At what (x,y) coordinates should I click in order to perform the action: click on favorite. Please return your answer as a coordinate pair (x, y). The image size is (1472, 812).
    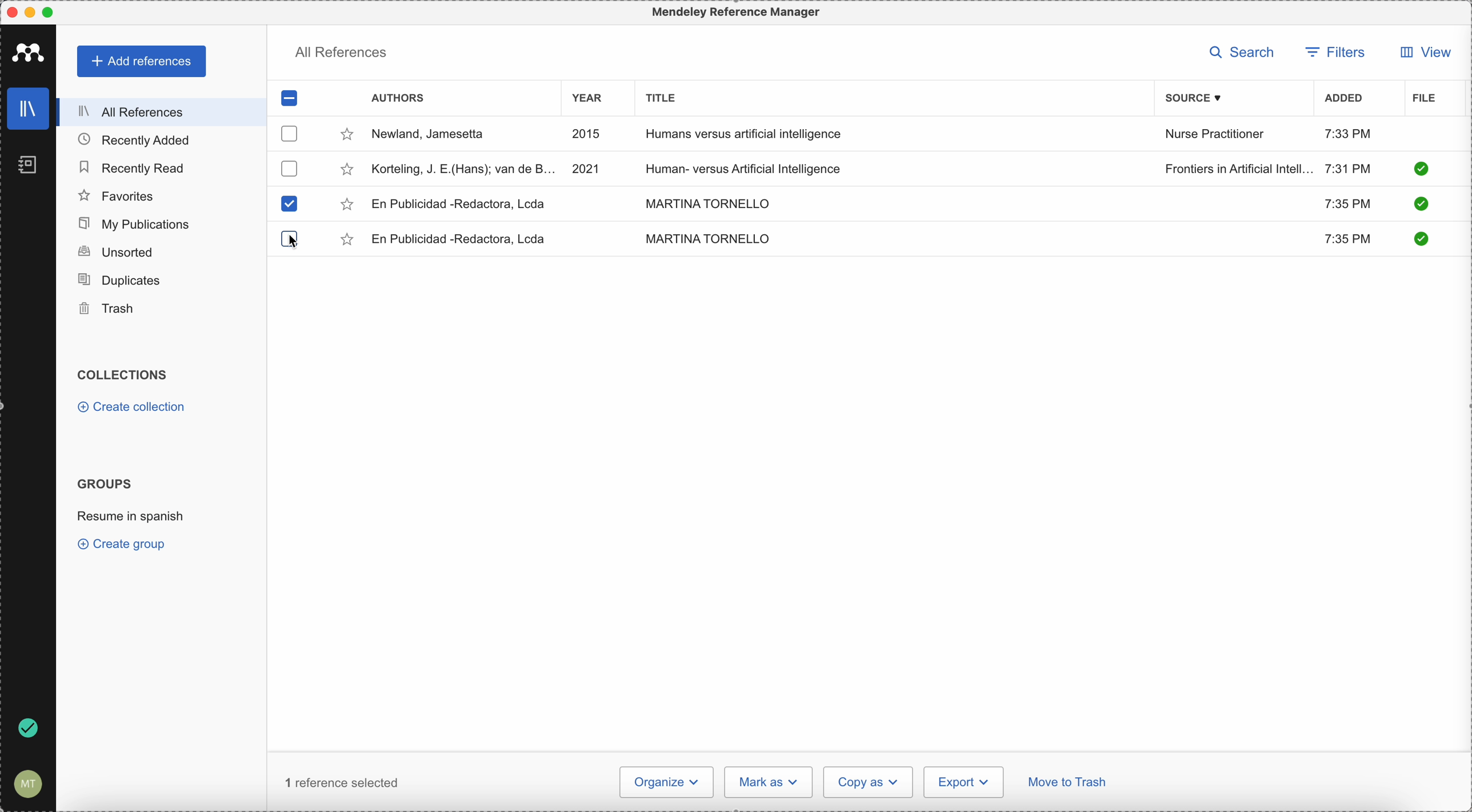
    Looking at the image, I should click on (349, 241).